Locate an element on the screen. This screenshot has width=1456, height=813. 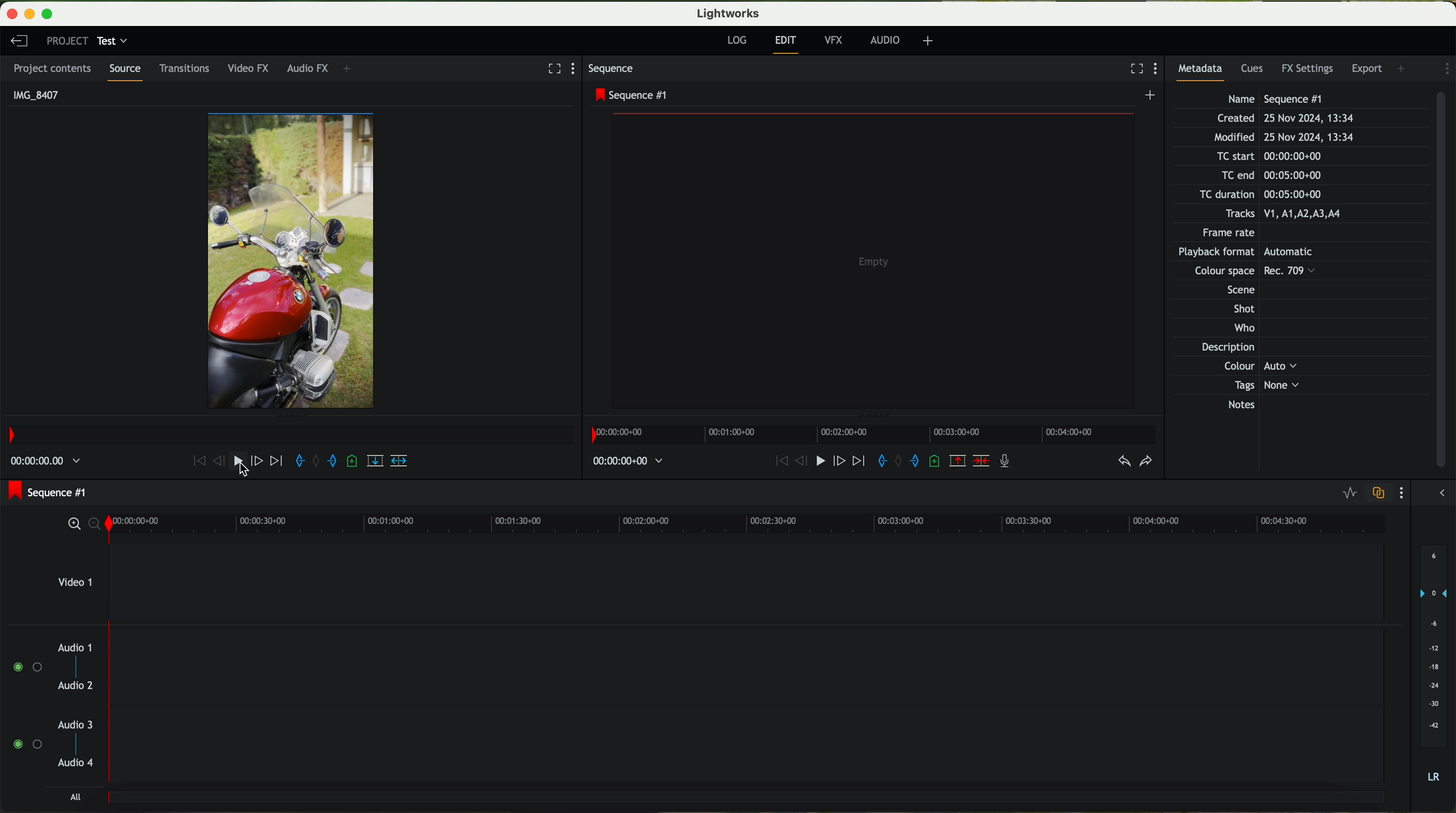
 play is located at coordinates (241, 461).